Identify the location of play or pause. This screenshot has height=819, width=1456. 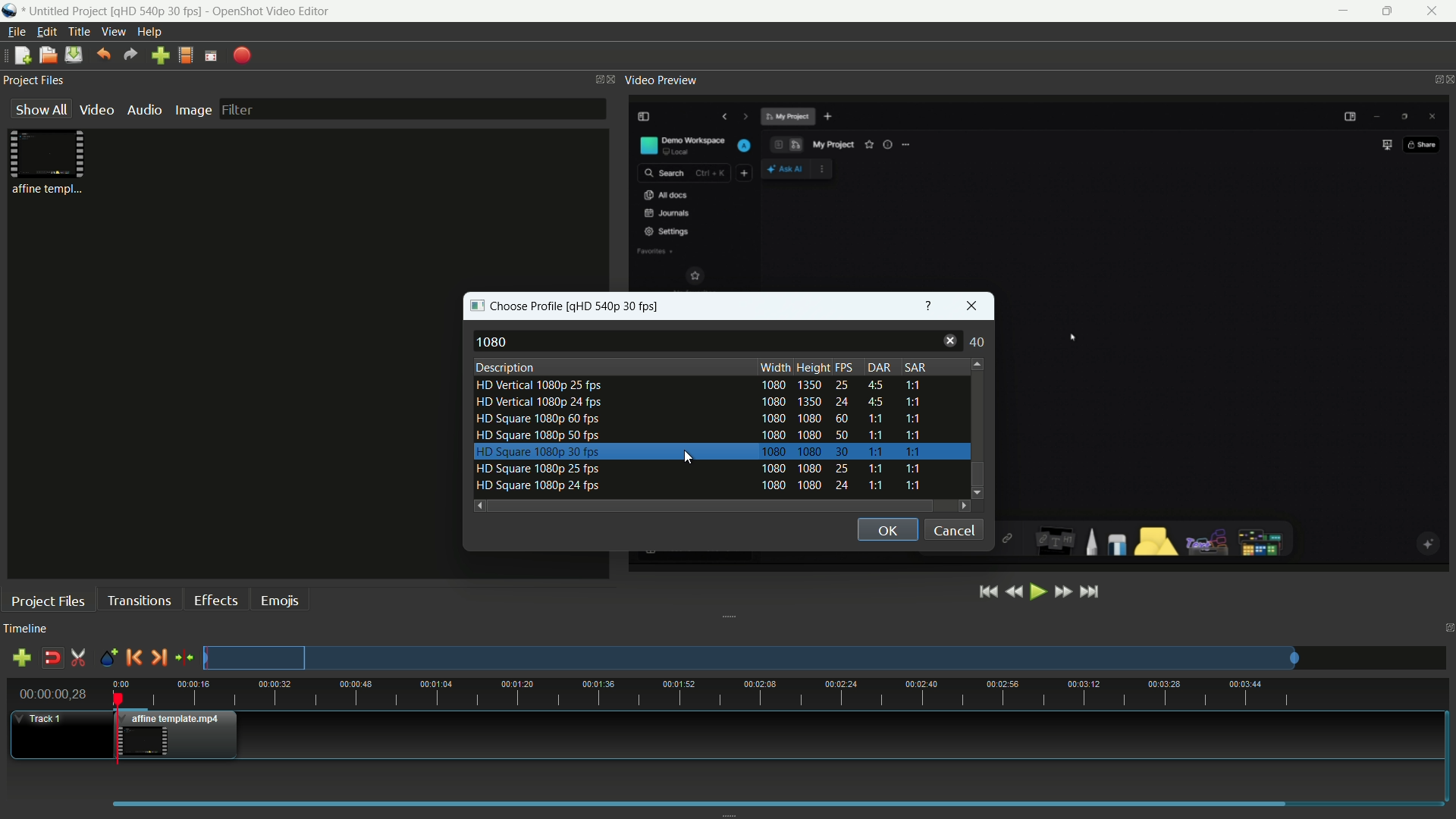
(1038, 593).